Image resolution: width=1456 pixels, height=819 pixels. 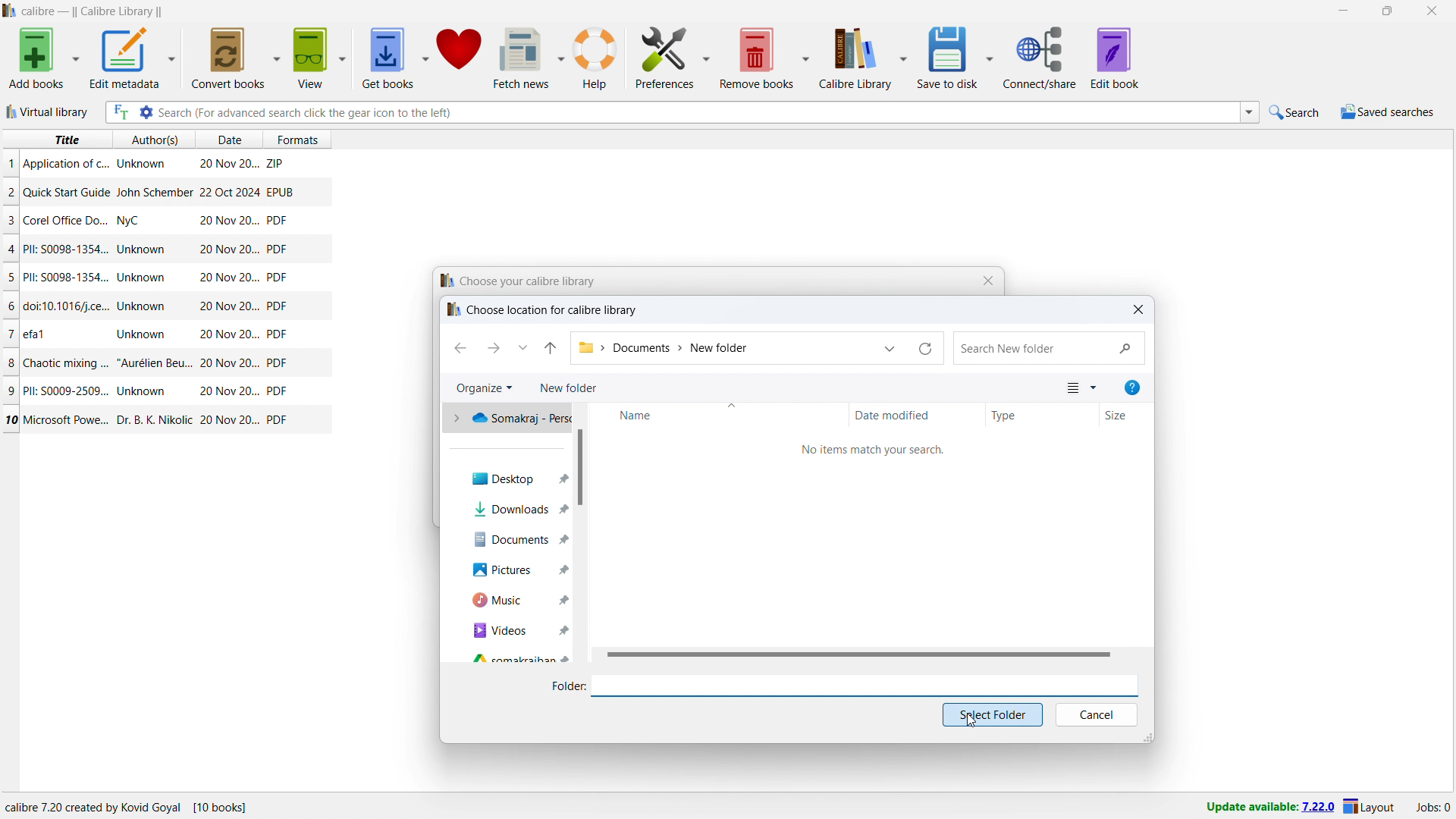 What do you see at coordinates (511, 540) in the screenshot?
I see `Documents` at bounding box center [511, 540].